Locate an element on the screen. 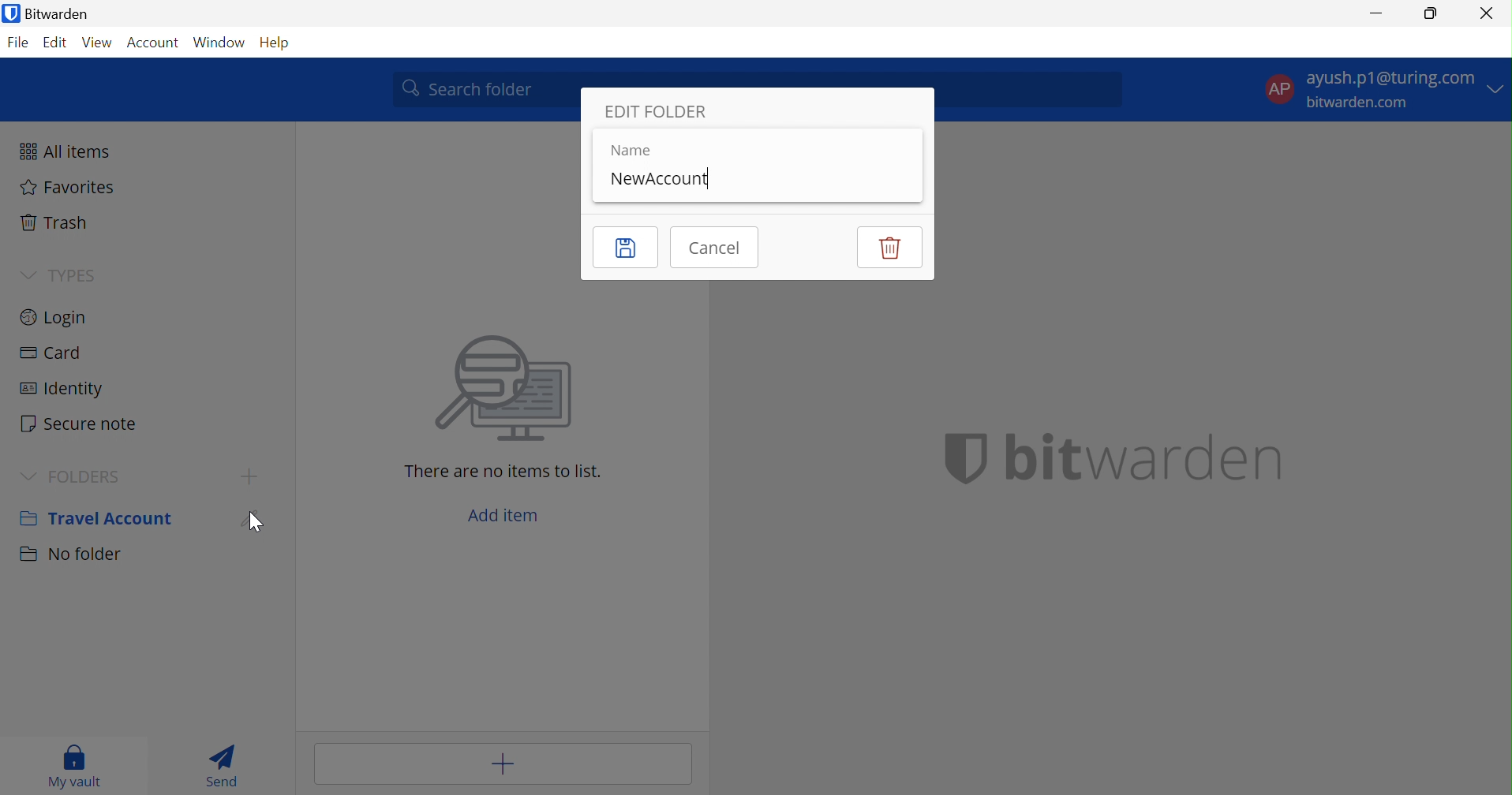  Send is located at coordinates (224, 765).